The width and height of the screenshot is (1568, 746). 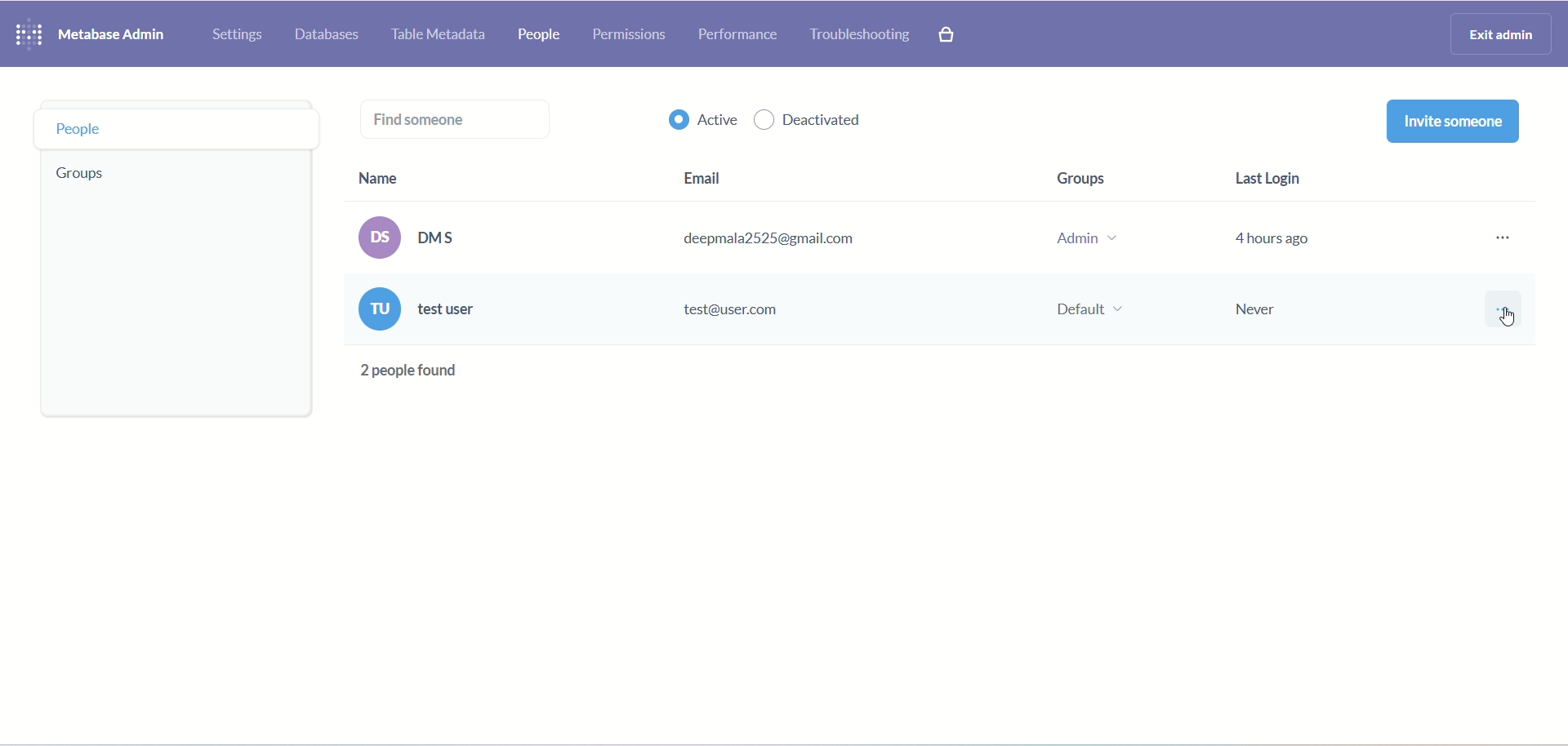 I want to click on deactivated, so click(x=812, y=121).